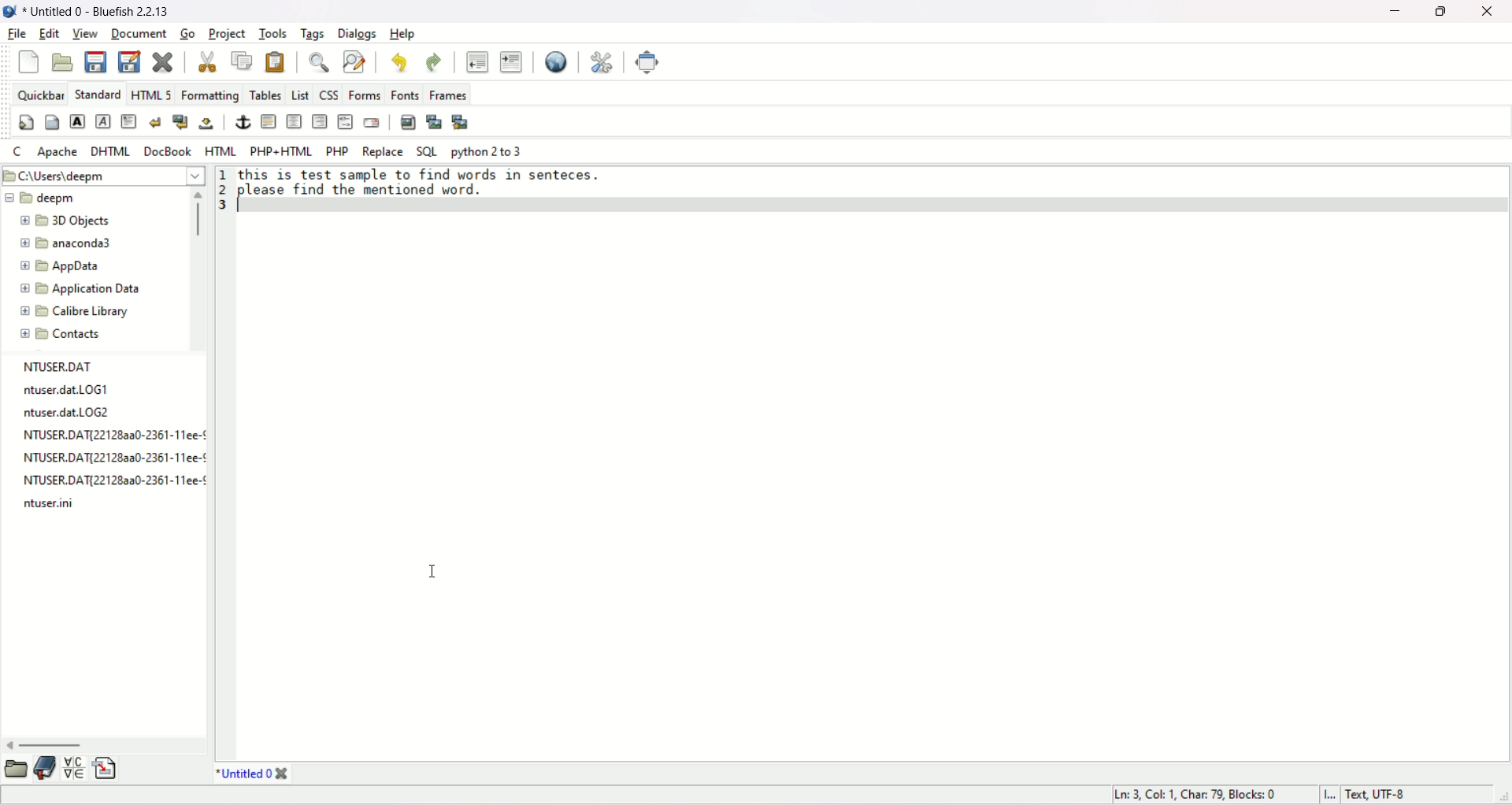  What do you see at coordinates (100, 12) in the screenshot?
I see `* Untitled 0 - Bluefish 2.2.13` at bounding box center [100, 12].